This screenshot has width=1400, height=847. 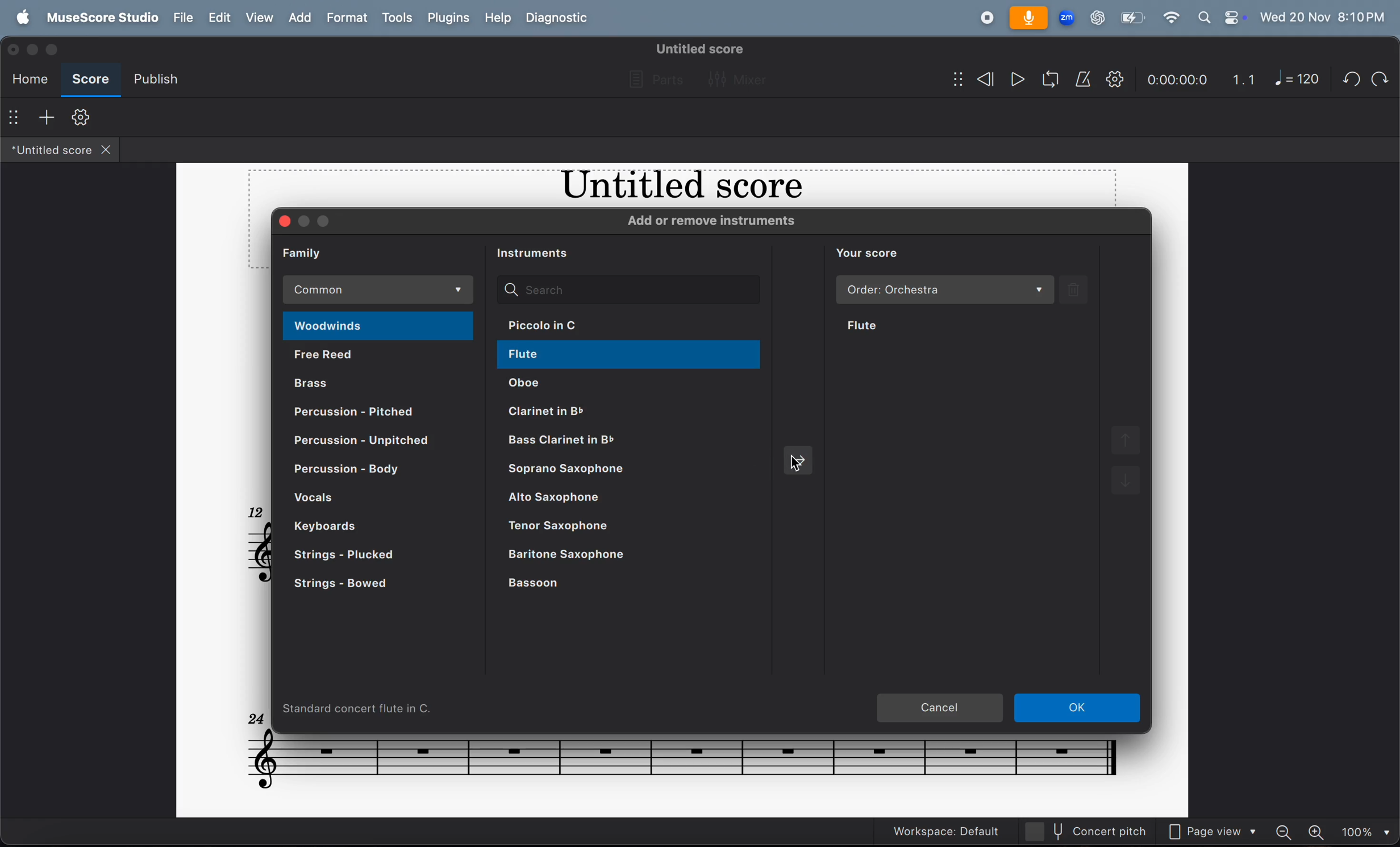 What do you see at coordinates (349, 18) in the screenshot?
I see `format` at bounding box center [349, 18].